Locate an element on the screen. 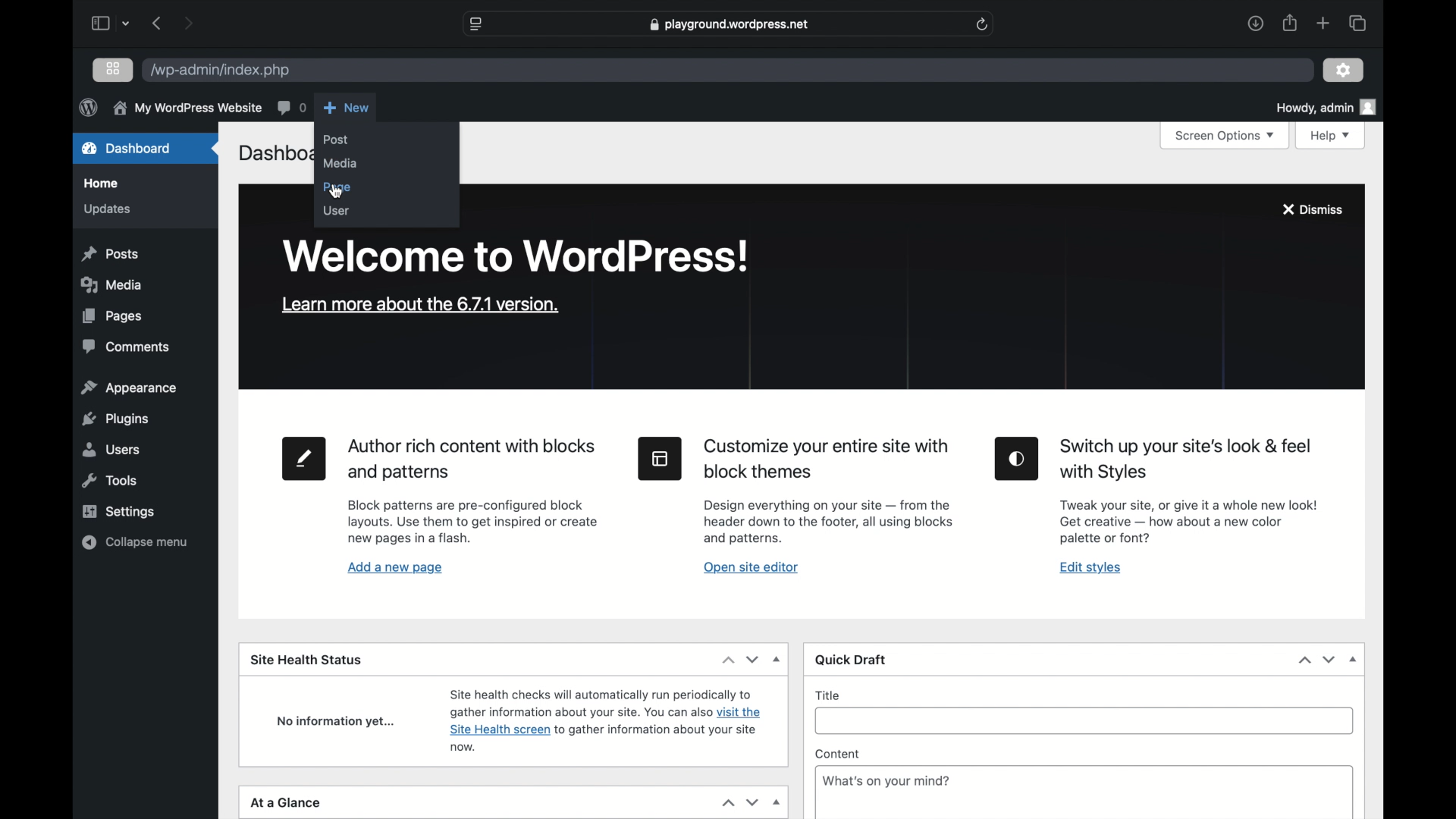 This screenshot has height=819, width=1456. wordpress is located at coordinates (86, 108).